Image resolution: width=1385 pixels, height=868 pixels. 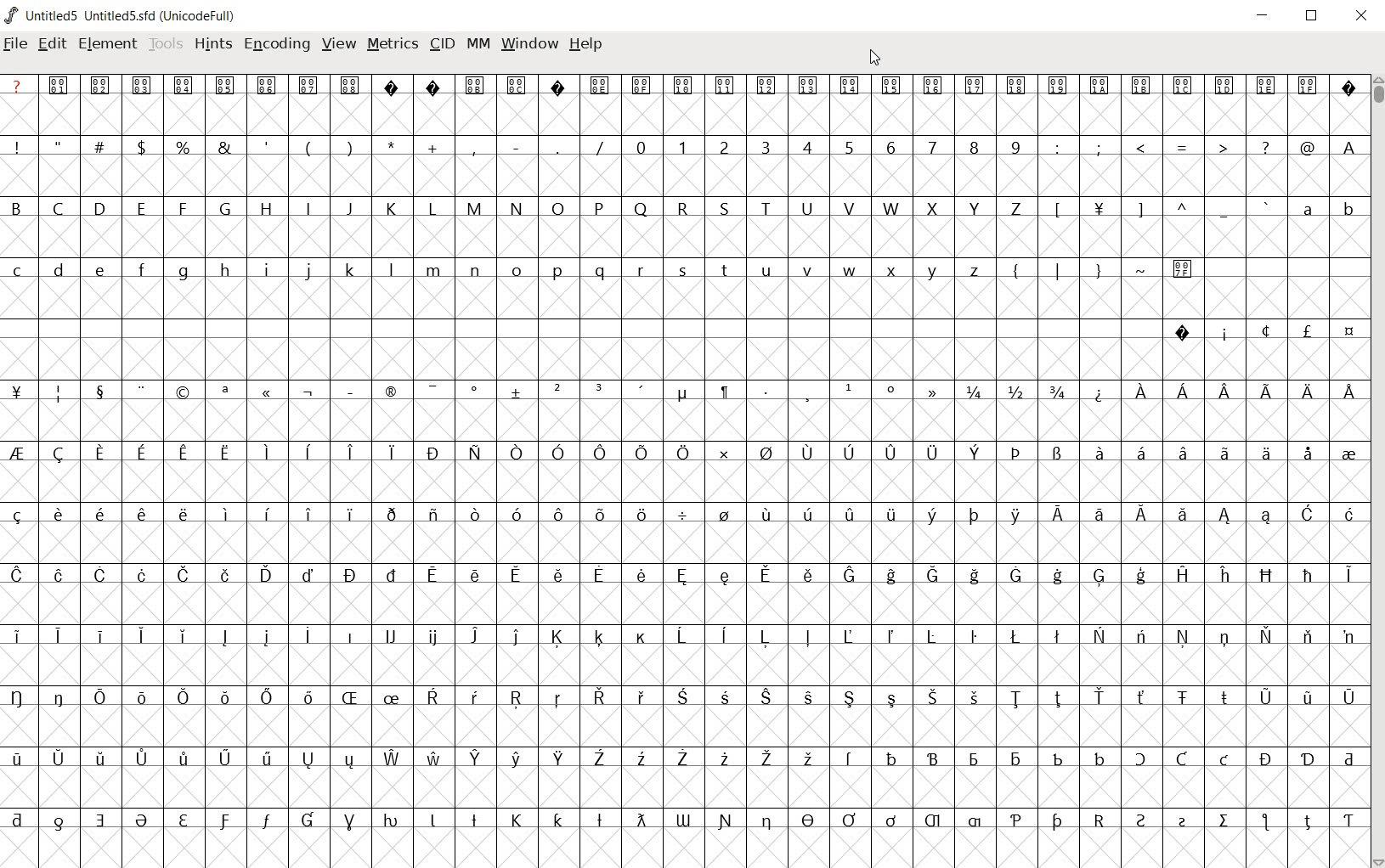 I want to click on Symbol, so click(x=307, y=698).